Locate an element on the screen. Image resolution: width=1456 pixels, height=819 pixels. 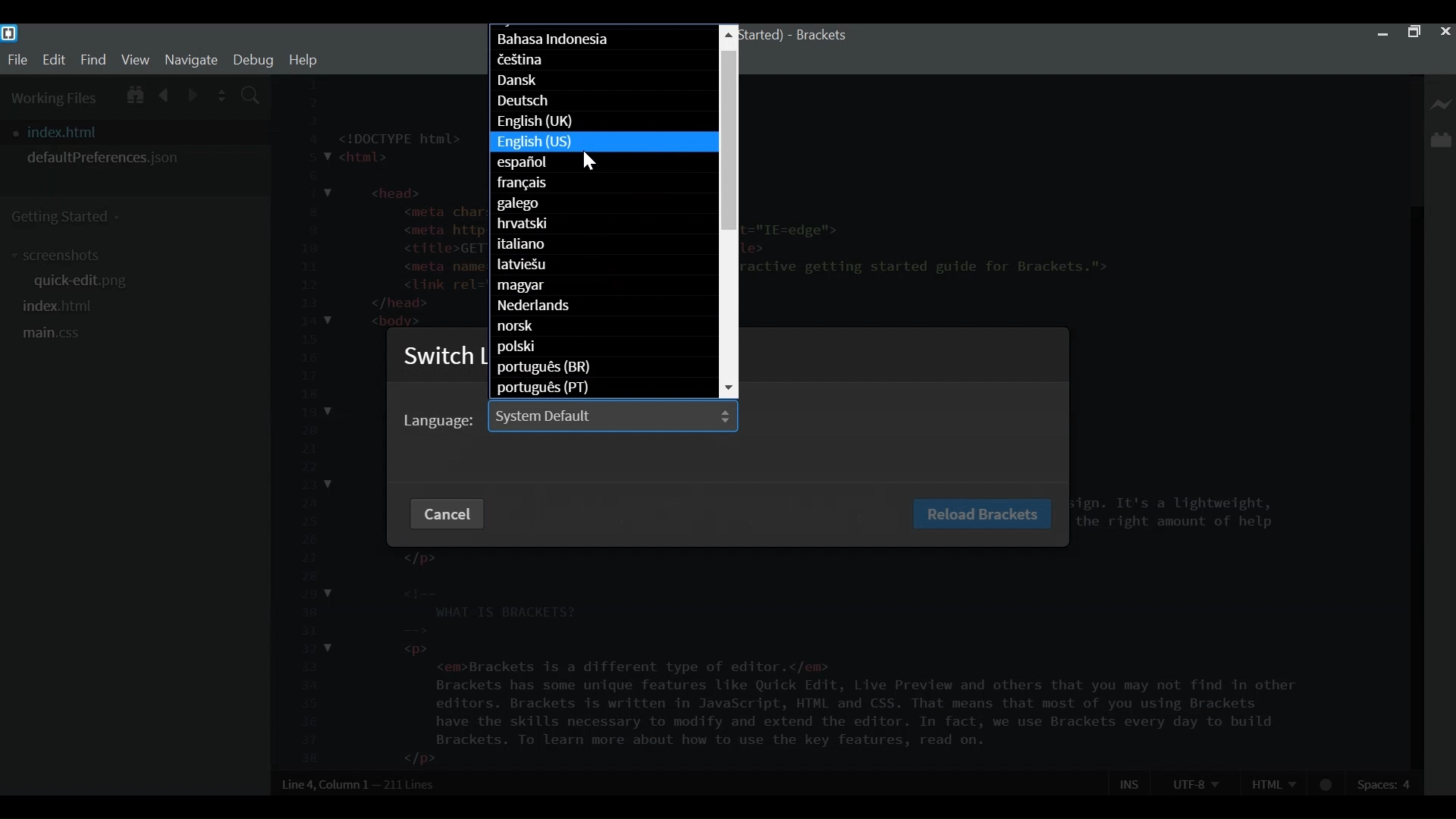
English (UK) is located at coordinates (602, 121).